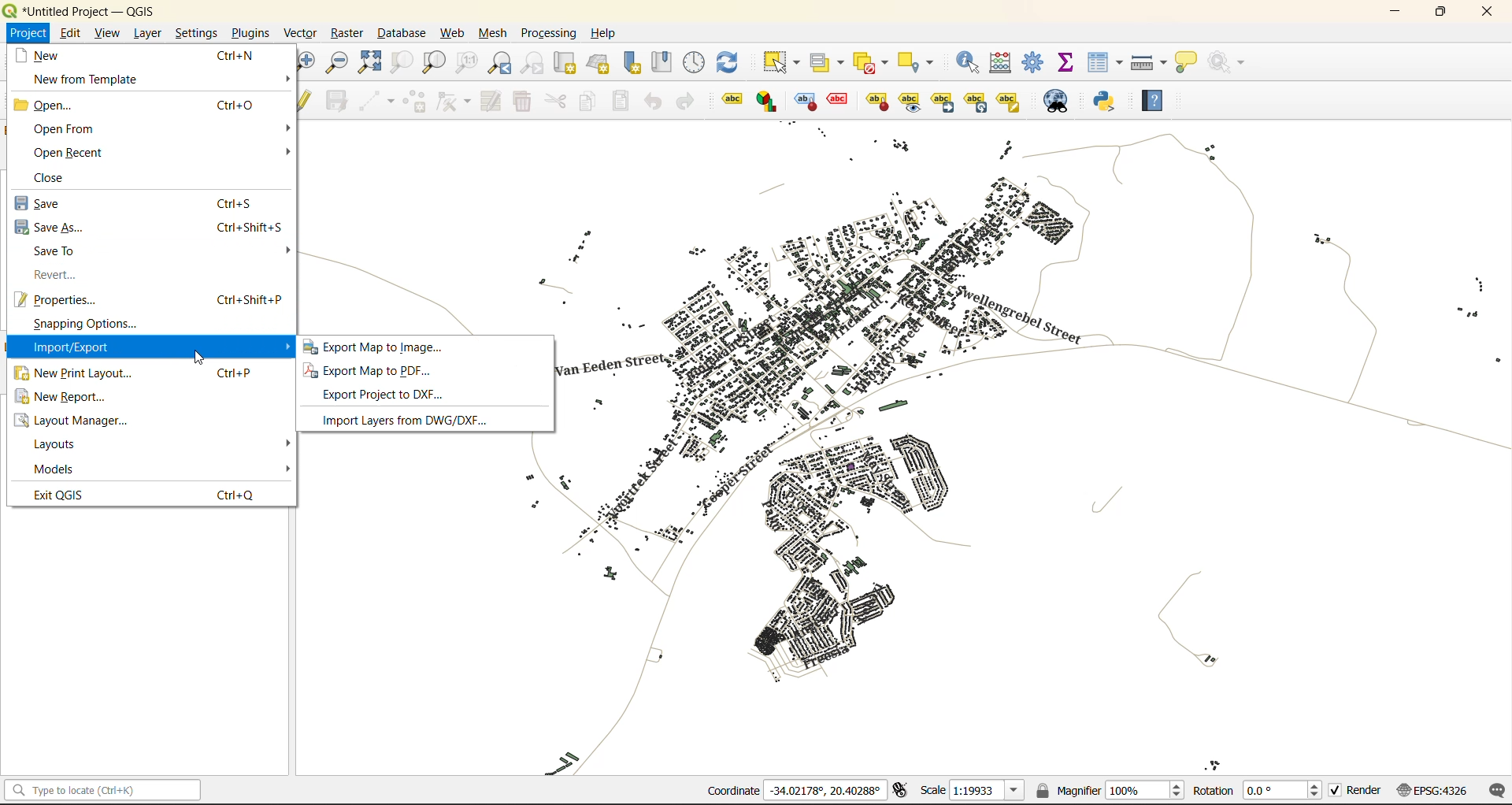 The width and height of the screenshot is (1512, 805). What do you see at coordinates (450, 102) in the screenshot?
I see `vertex tools` at bounding box center [450, 102].